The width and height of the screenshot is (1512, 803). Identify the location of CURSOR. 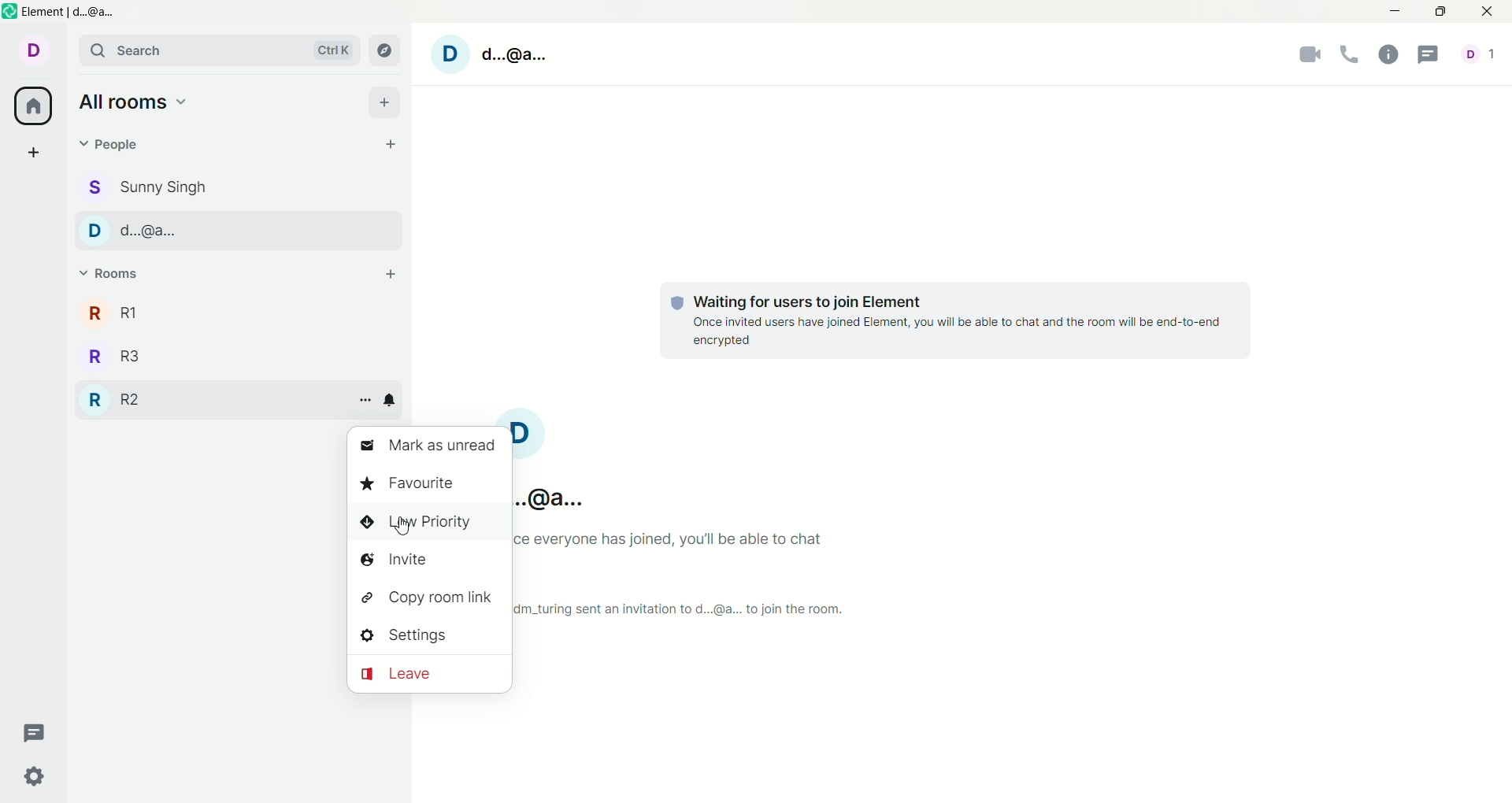
(402, 530).